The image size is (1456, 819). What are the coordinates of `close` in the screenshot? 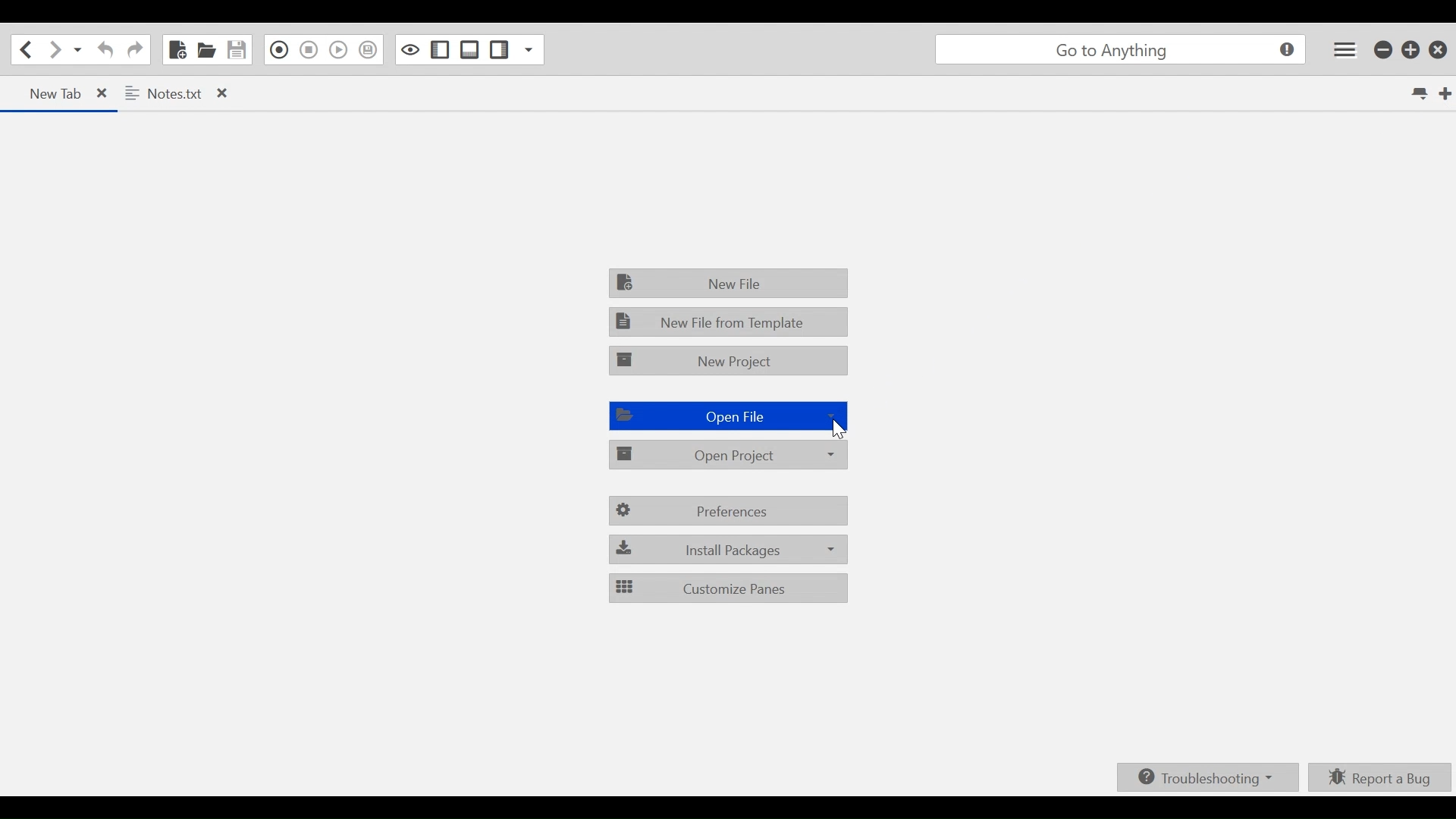 It's located at (108, 93).